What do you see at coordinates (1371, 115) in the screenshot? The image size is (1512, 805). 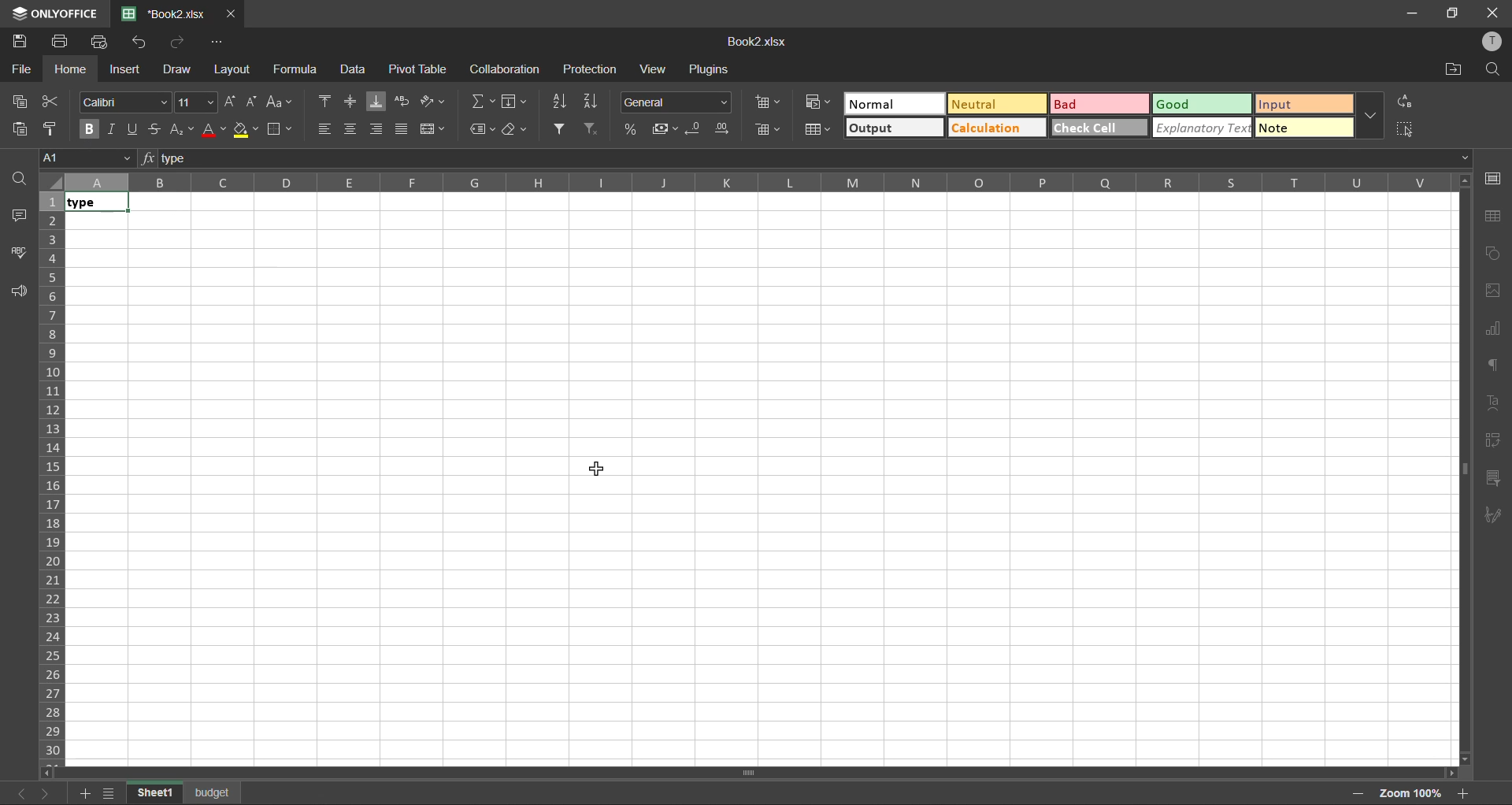 I see `more options` at bounding box center [1371, 115].